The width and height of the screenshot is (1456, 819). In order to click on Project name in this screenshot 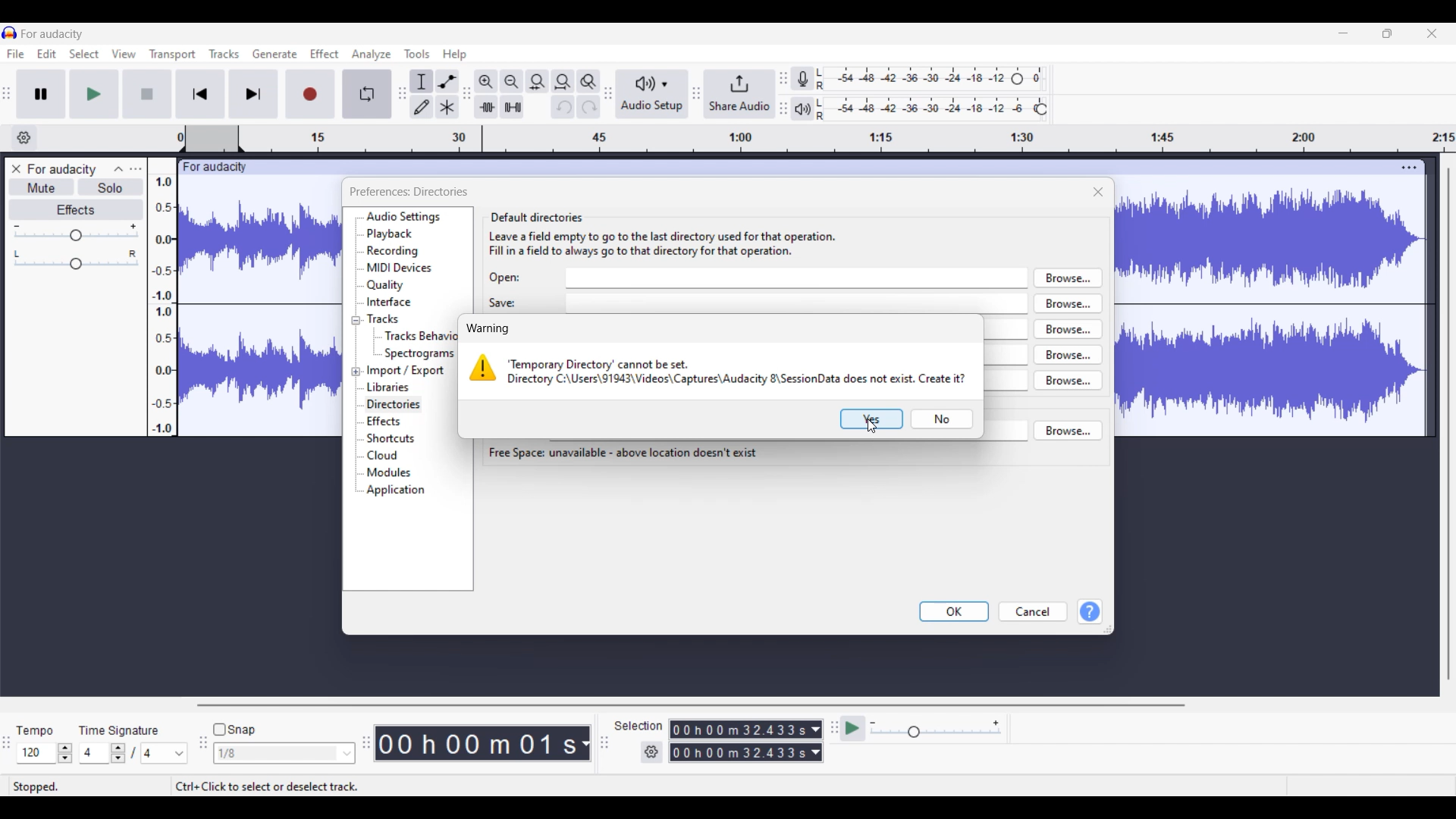, I will do `click(52, 33)`.